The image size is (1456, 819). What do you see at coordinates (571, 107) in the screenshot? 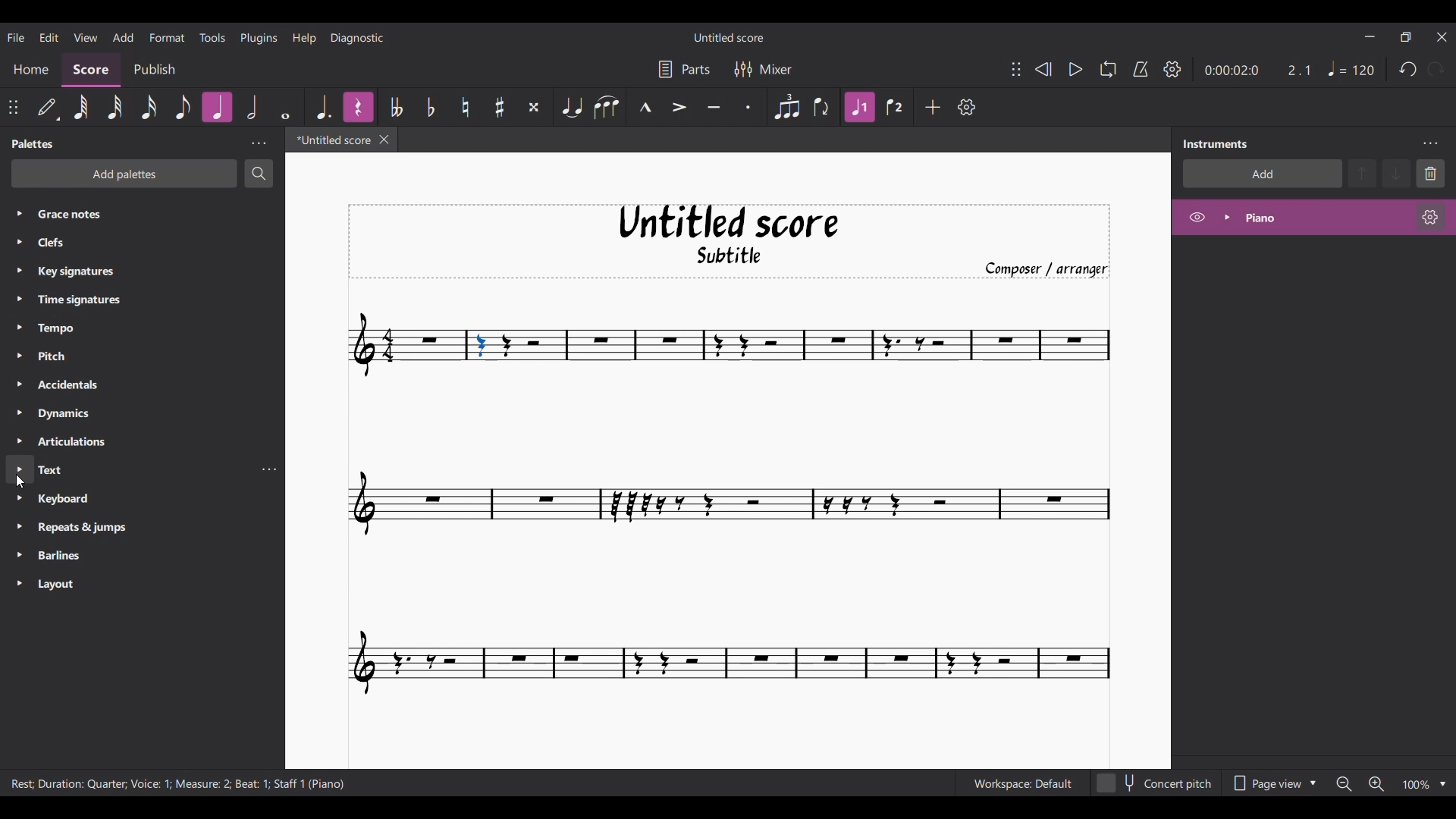
I see `Tie` at bounding box center [571, 107].